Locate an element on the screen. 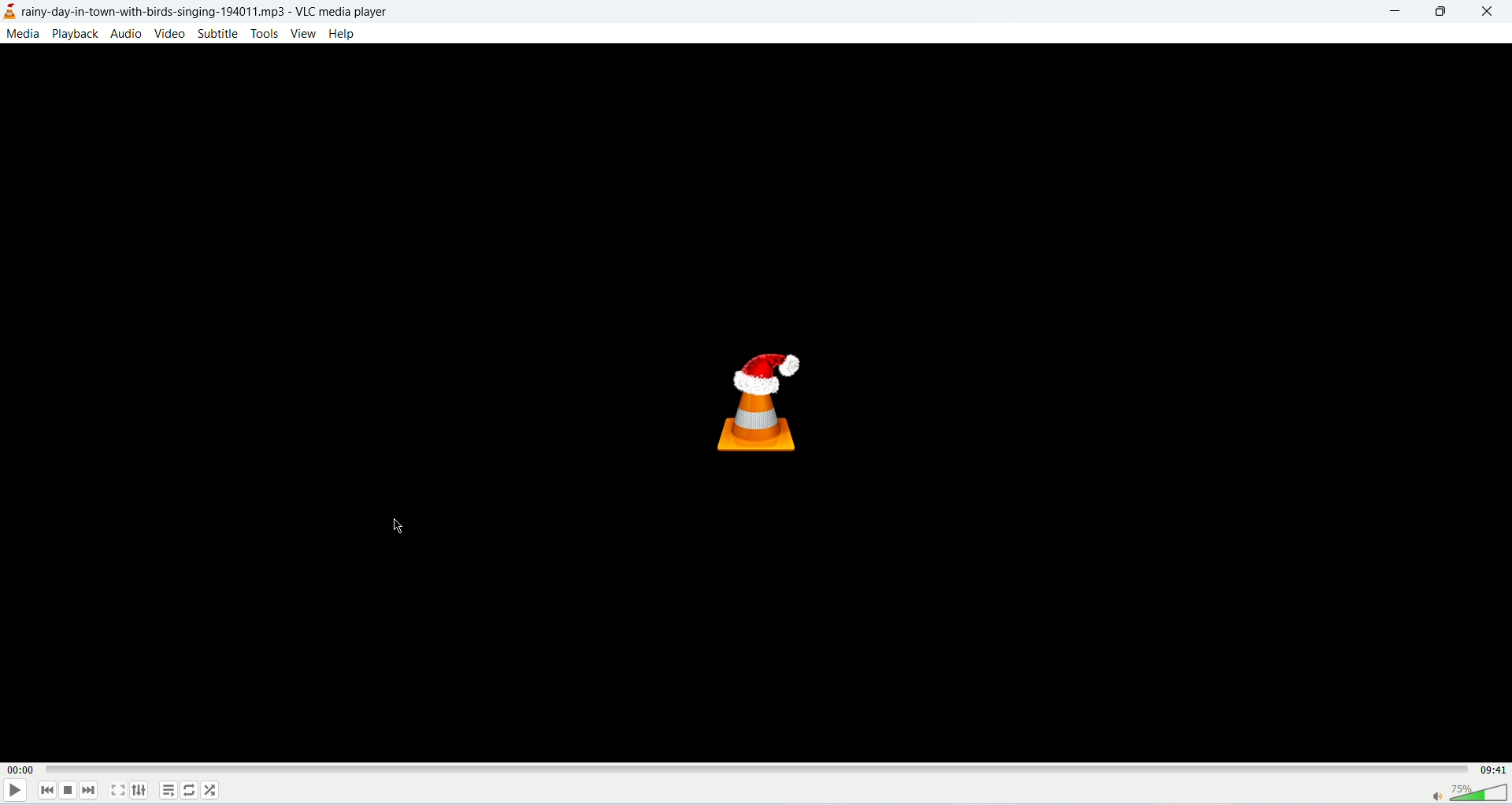 The image size is (1512, 805). played time is located at coordinates (20, 771).